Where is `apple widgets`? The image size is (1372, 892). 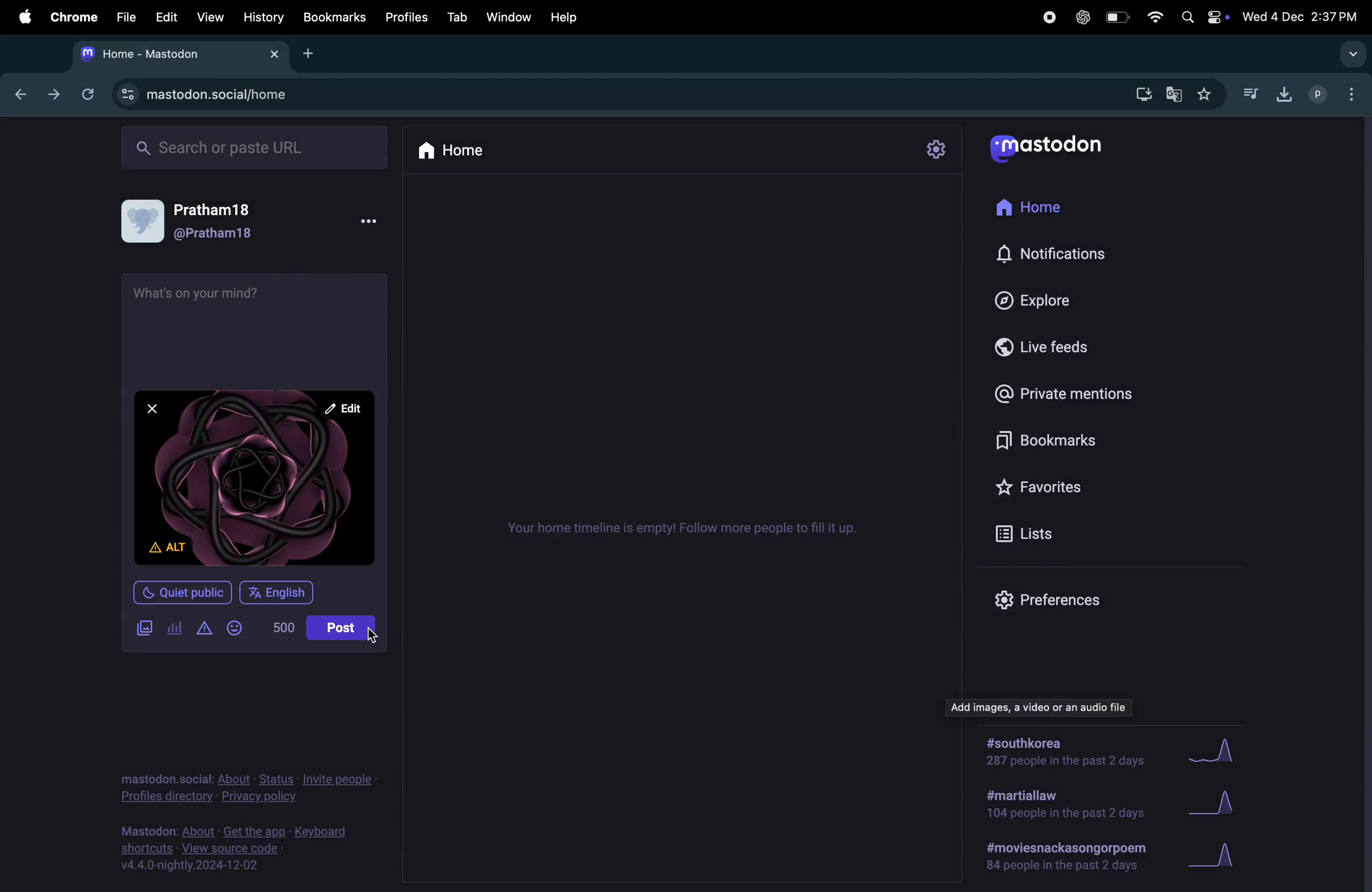
apple widgets is located at coordinates (1203, 16).